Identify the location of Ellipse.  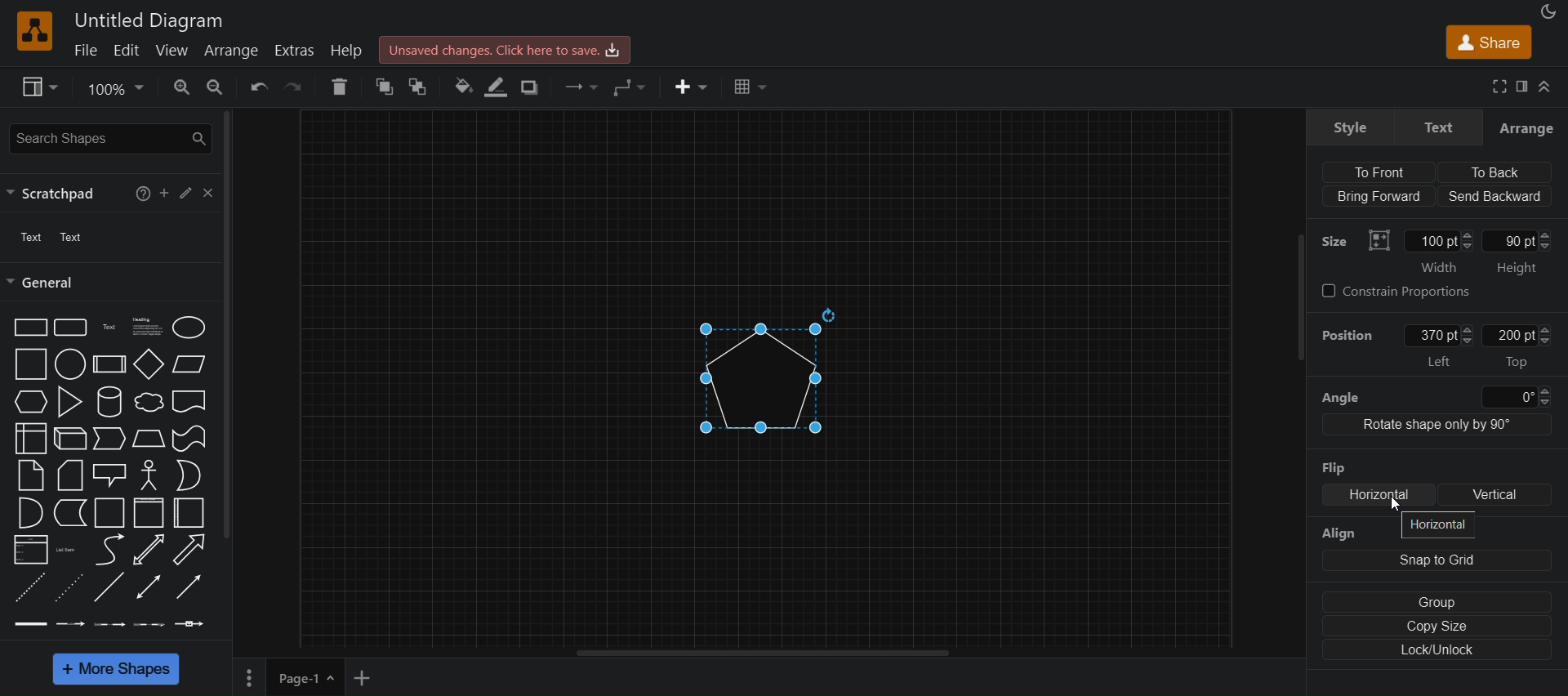
(189, 328).